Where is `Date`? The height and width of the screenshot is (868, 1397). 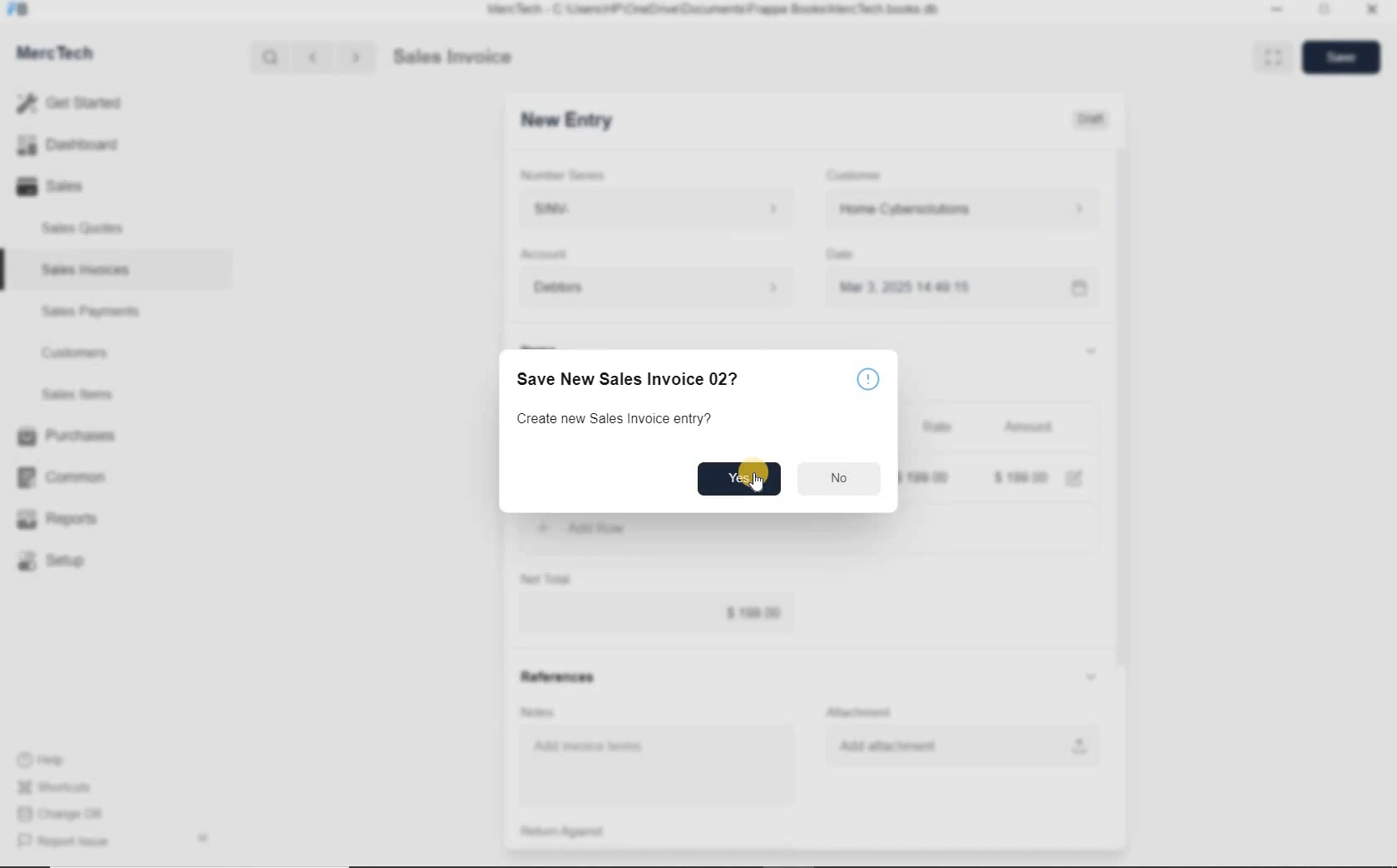
Date is located at coordinates (848, 254).